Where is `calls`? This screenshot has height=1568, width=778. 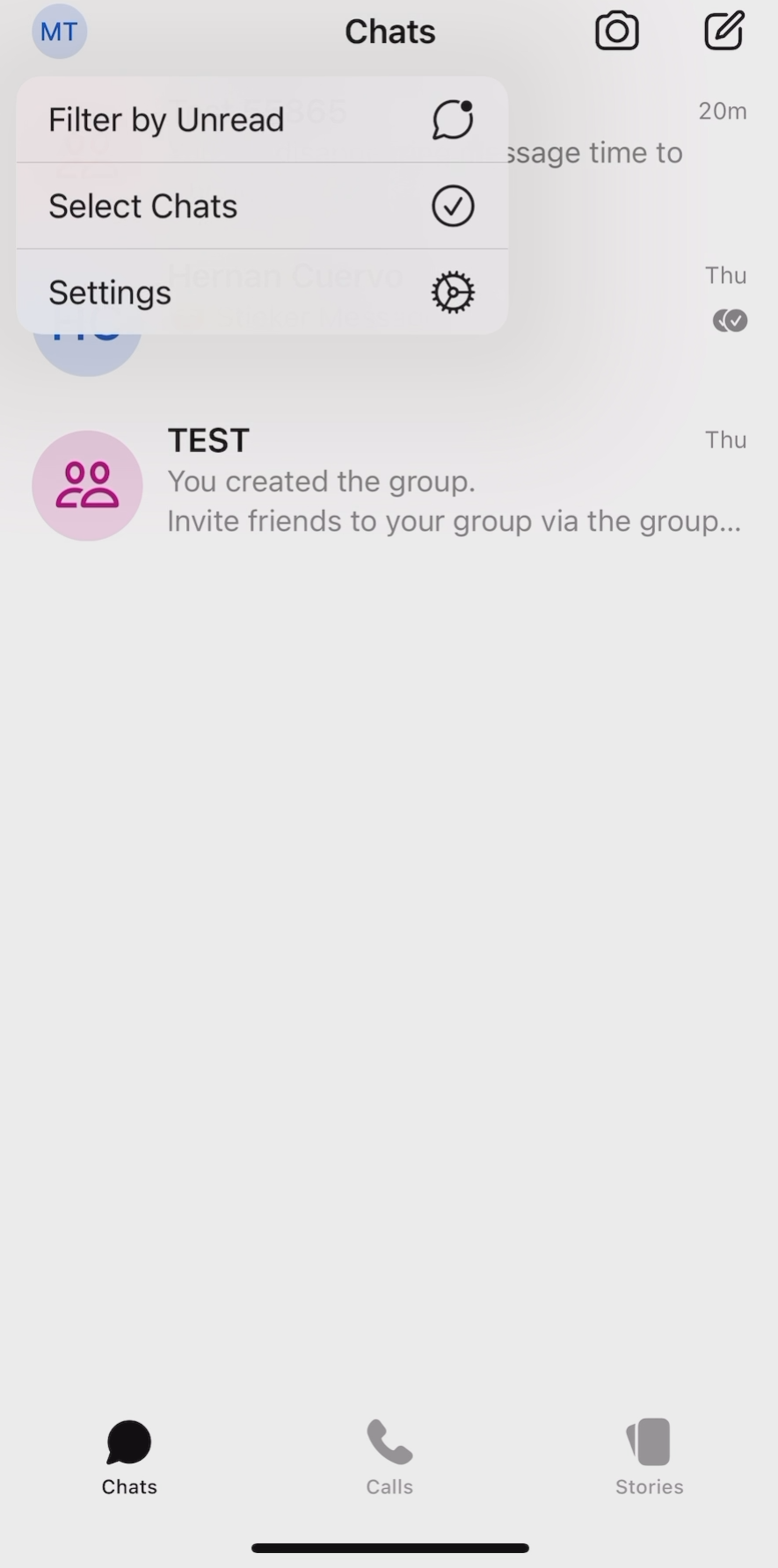 calls is located at coordinates (389, 1455).